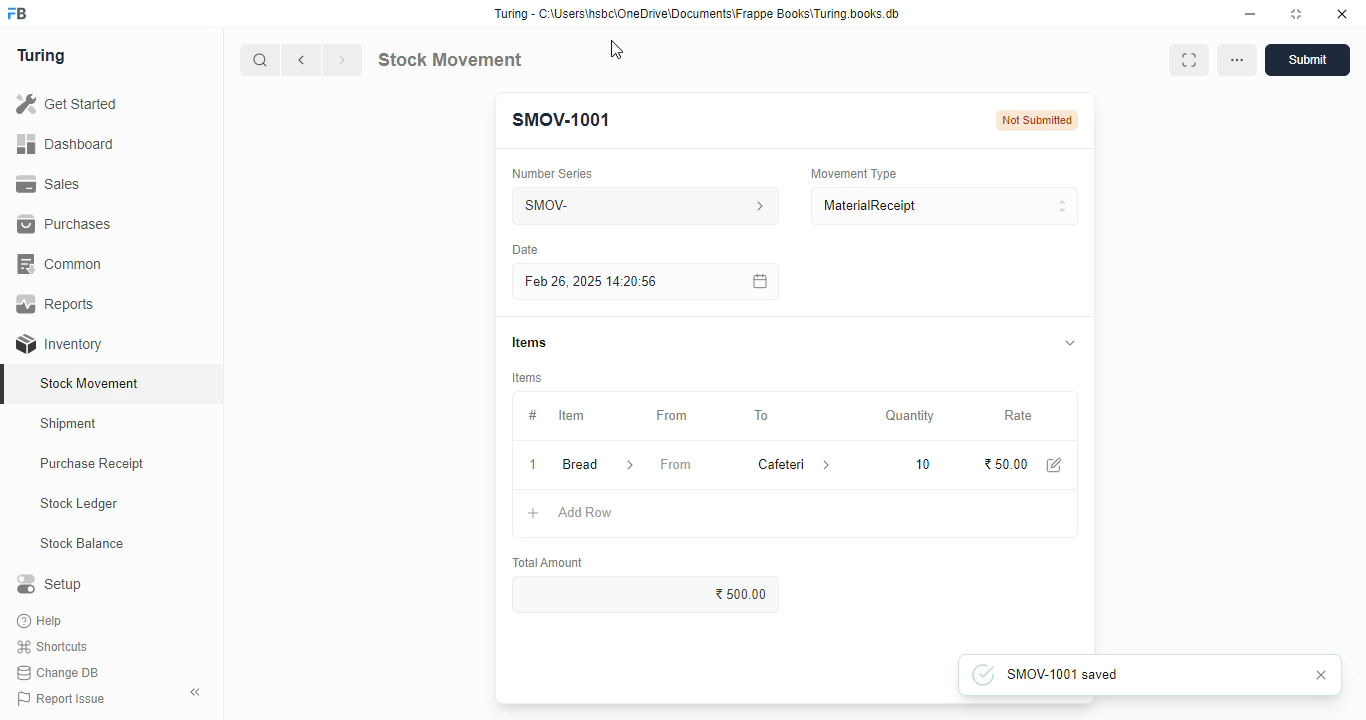 This screenshot has height=720, width=1366. Describe the element at coordinates (1250, 15) in the screenshot. I see `minimize` at that location.